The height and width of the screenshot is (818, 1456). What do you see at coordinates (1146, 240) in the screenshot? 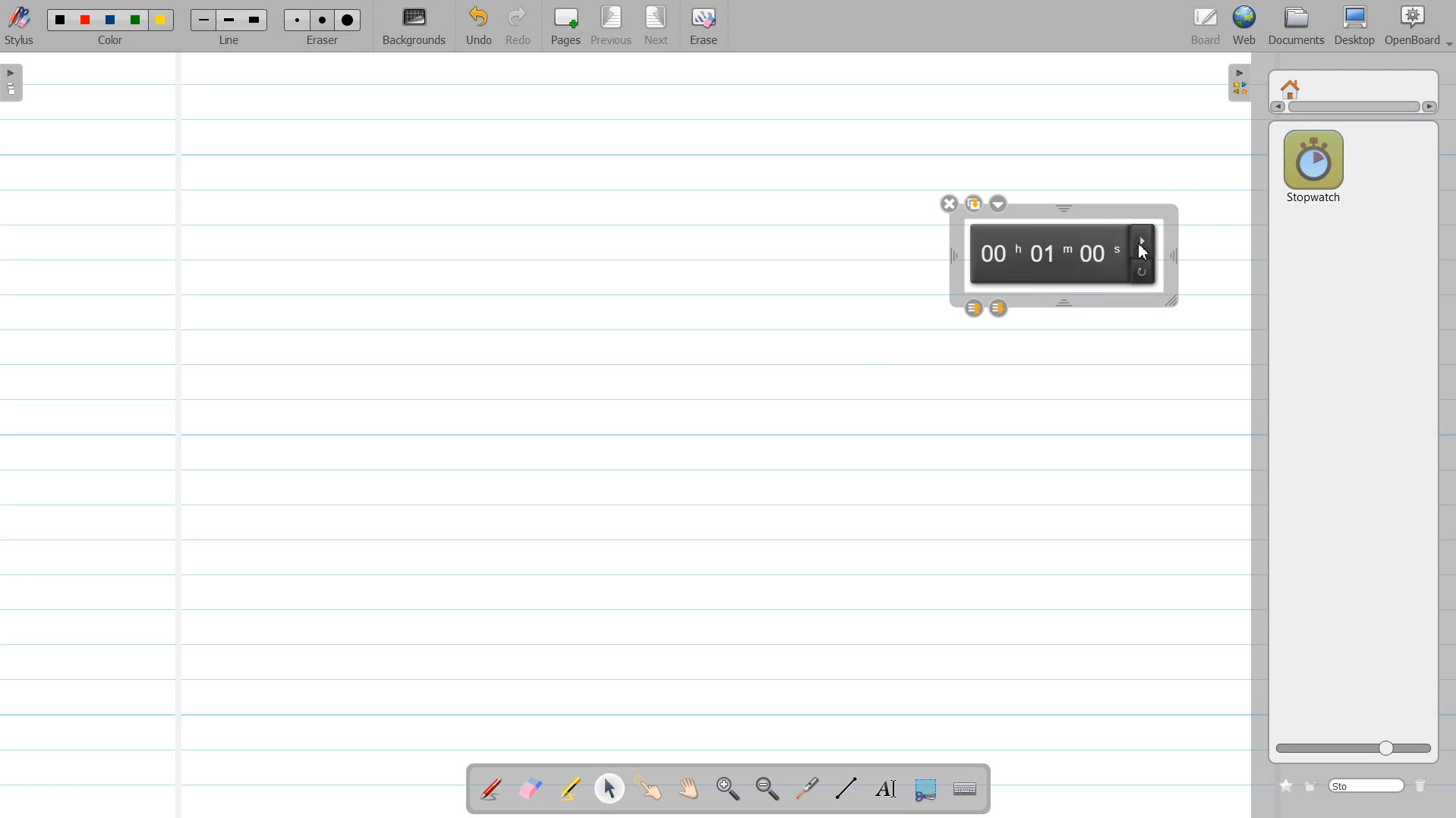
I see `pause` at bounding box center [1146, 240].